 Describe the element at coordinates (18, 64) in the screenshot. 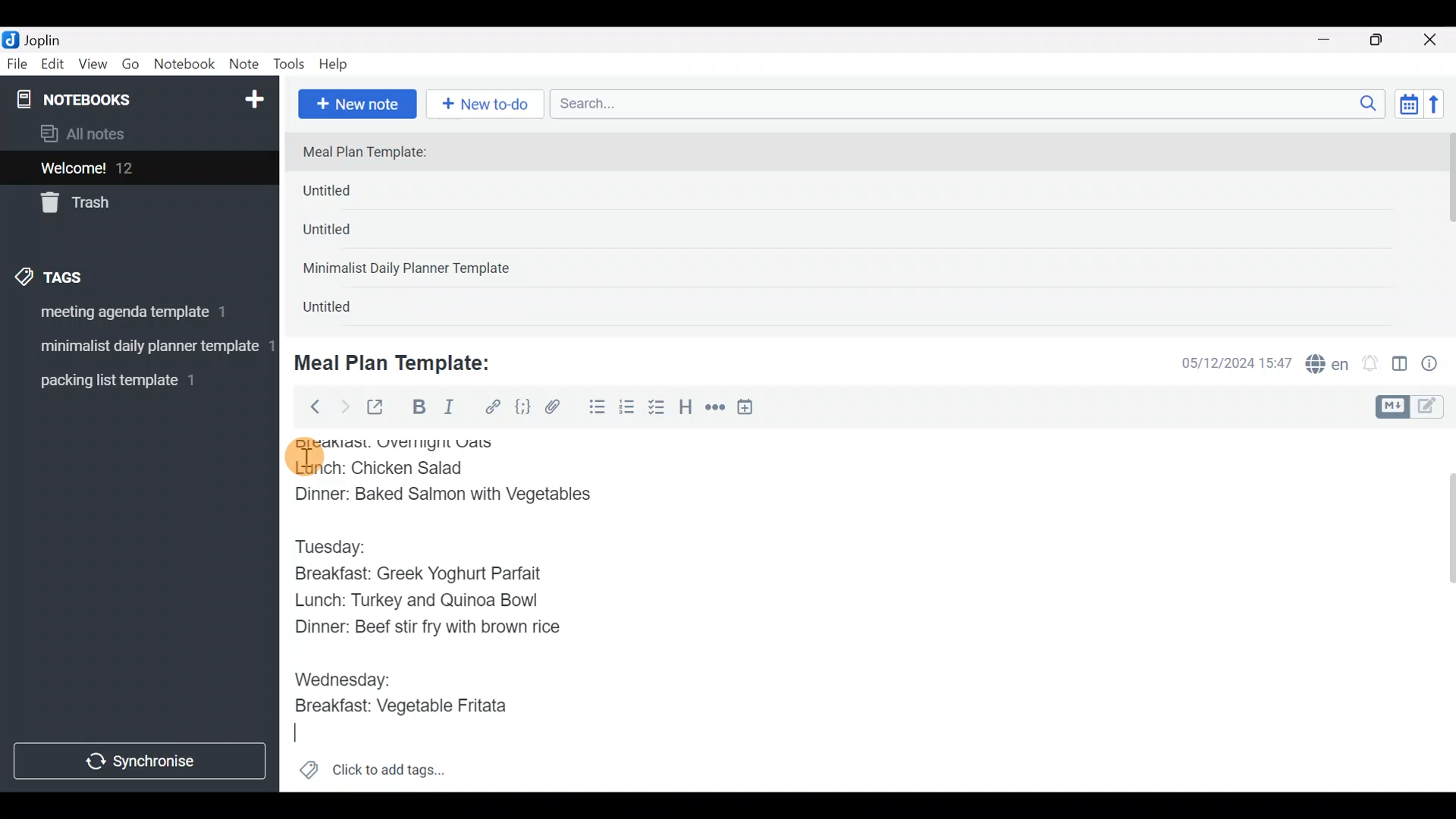

I see `File` at that location.